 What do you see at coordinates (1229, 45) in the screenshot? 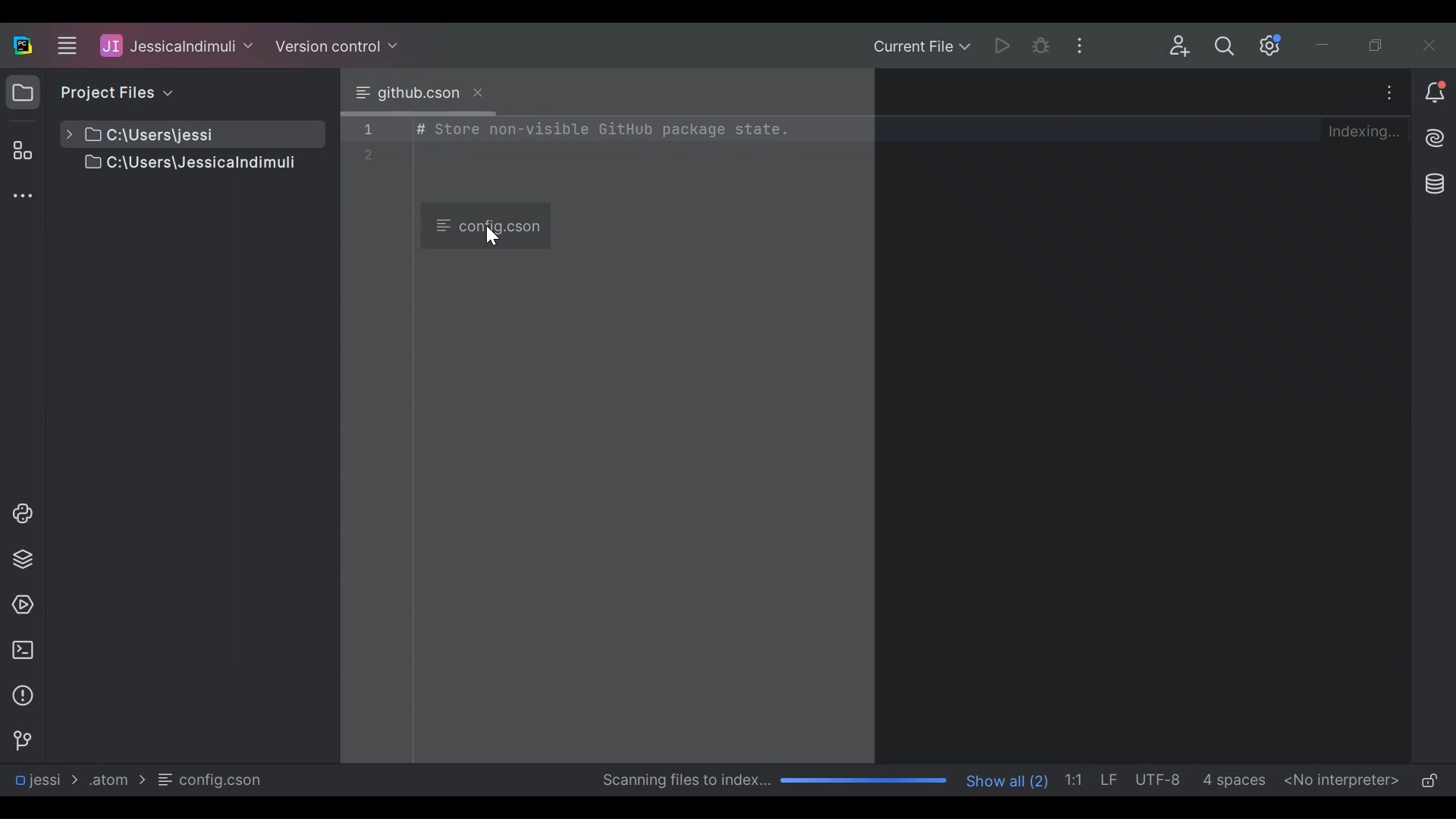
I see `Search` at bounding box center [1229, 45].